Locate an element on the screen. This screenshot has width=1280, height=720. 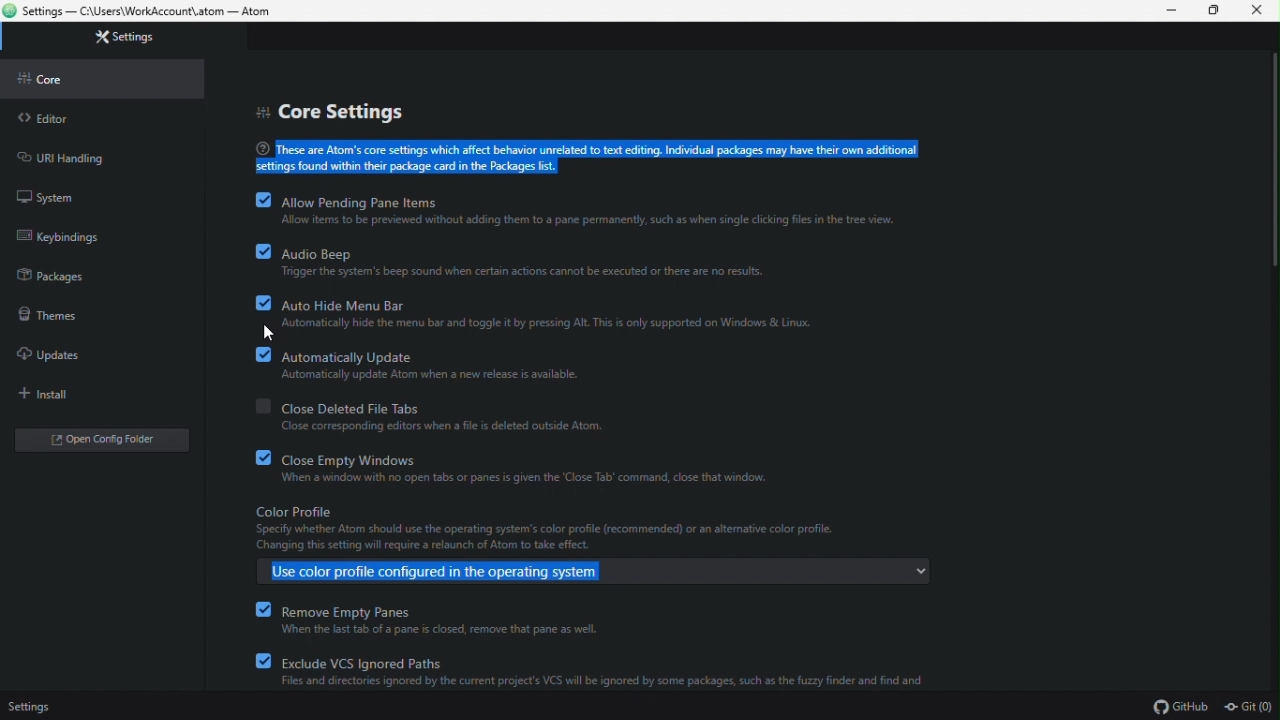
close is located at coordinates (1254, 11).